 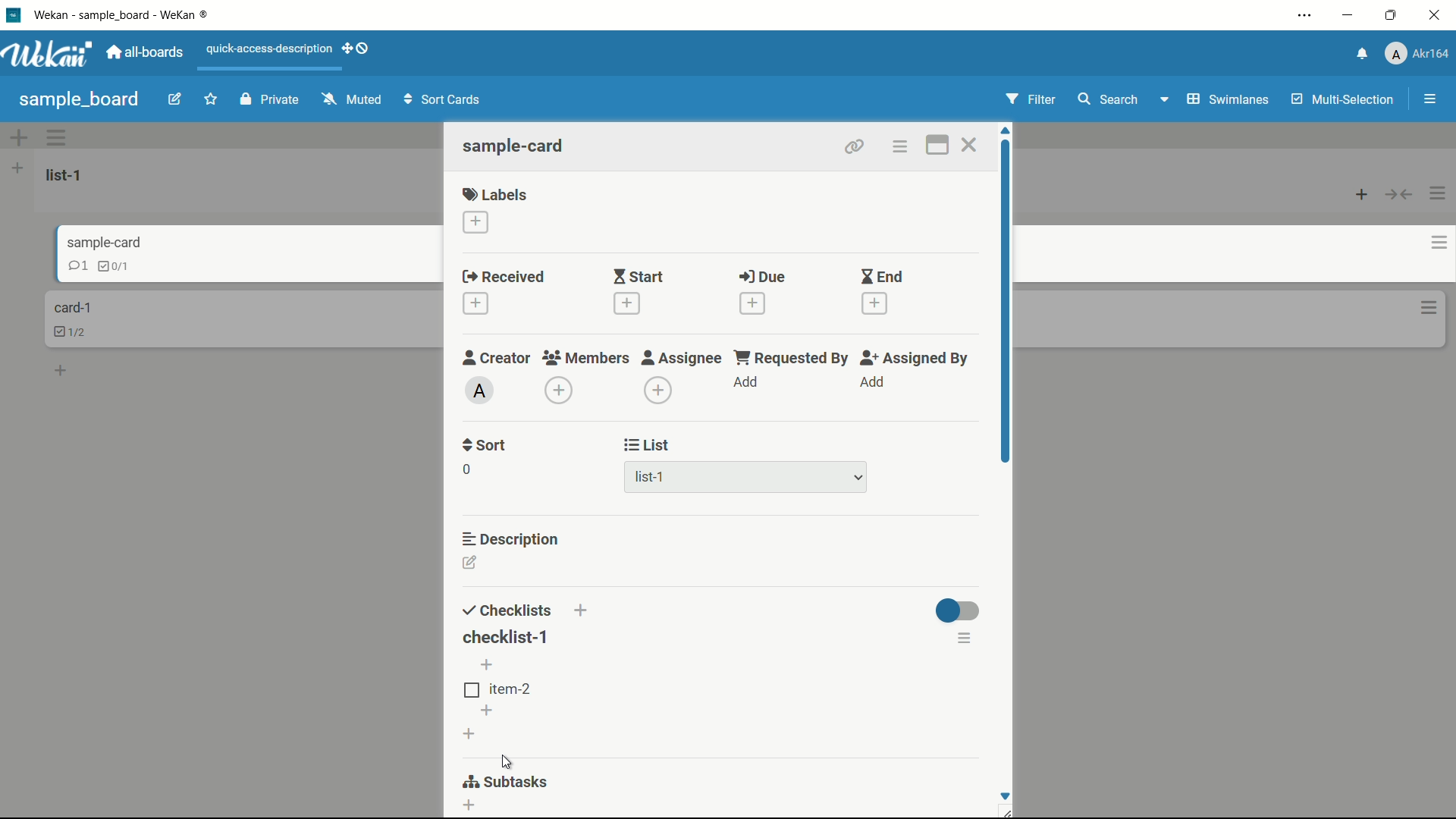 I want to click on copy link to clipboard, so click(x=855, y=147).